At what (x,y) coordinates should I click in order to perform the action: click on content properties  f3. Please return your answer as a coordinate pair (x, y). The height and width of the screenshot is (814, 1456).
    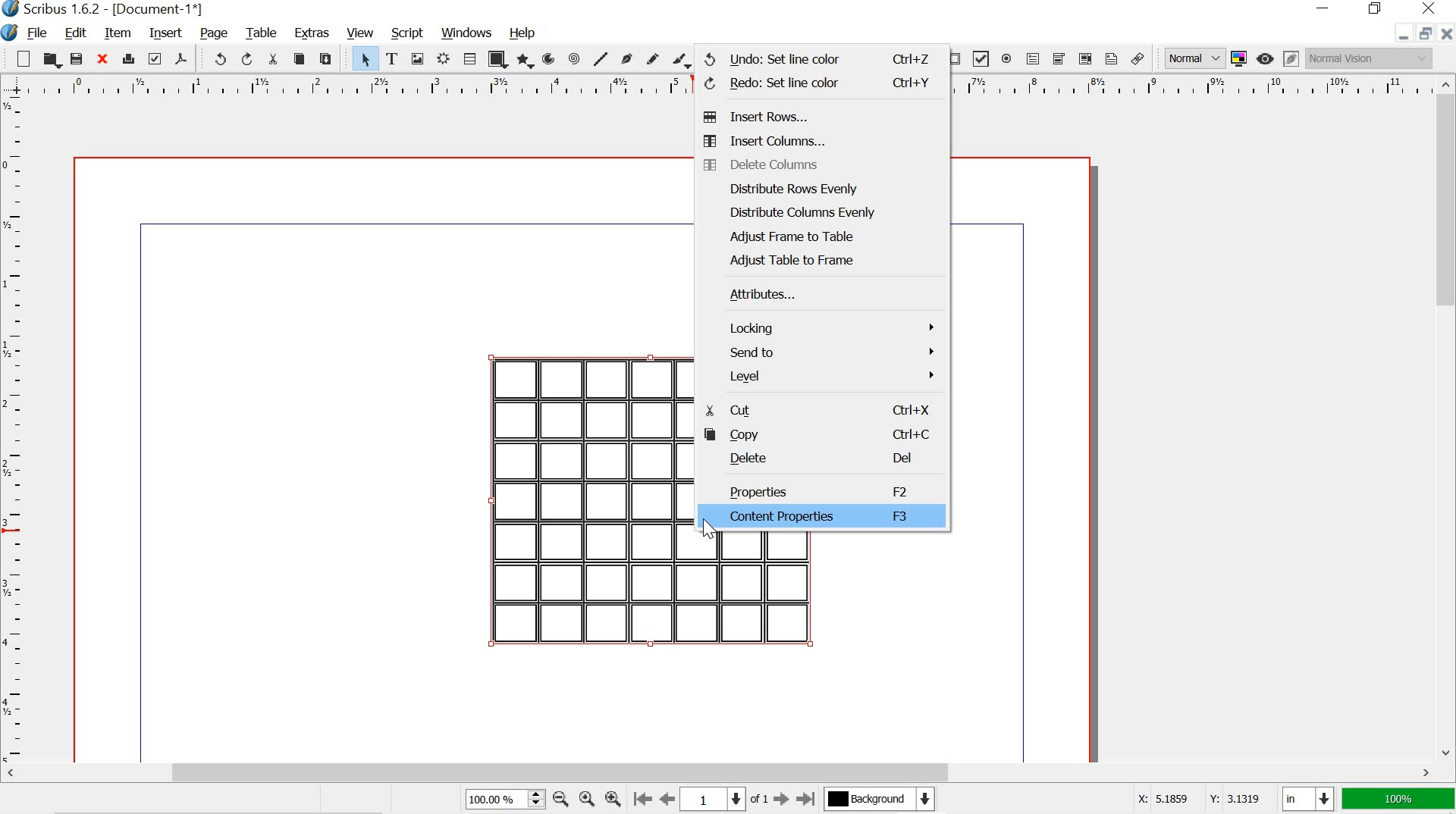
    Looking at the image, I should click on (821, 518).